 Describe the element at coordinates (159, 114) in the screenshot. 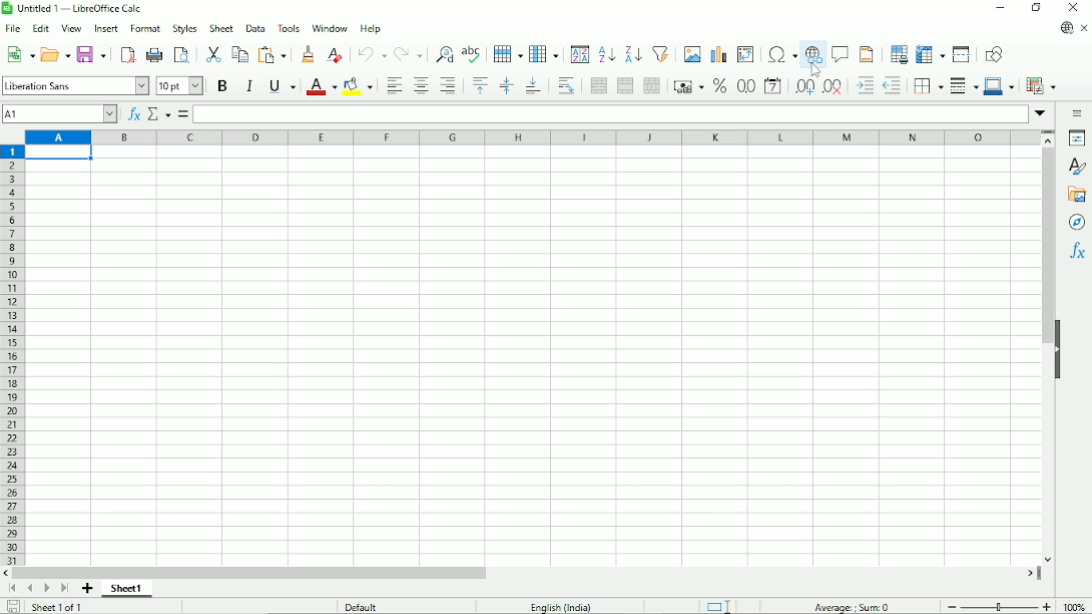

I see `Select function` at that location.